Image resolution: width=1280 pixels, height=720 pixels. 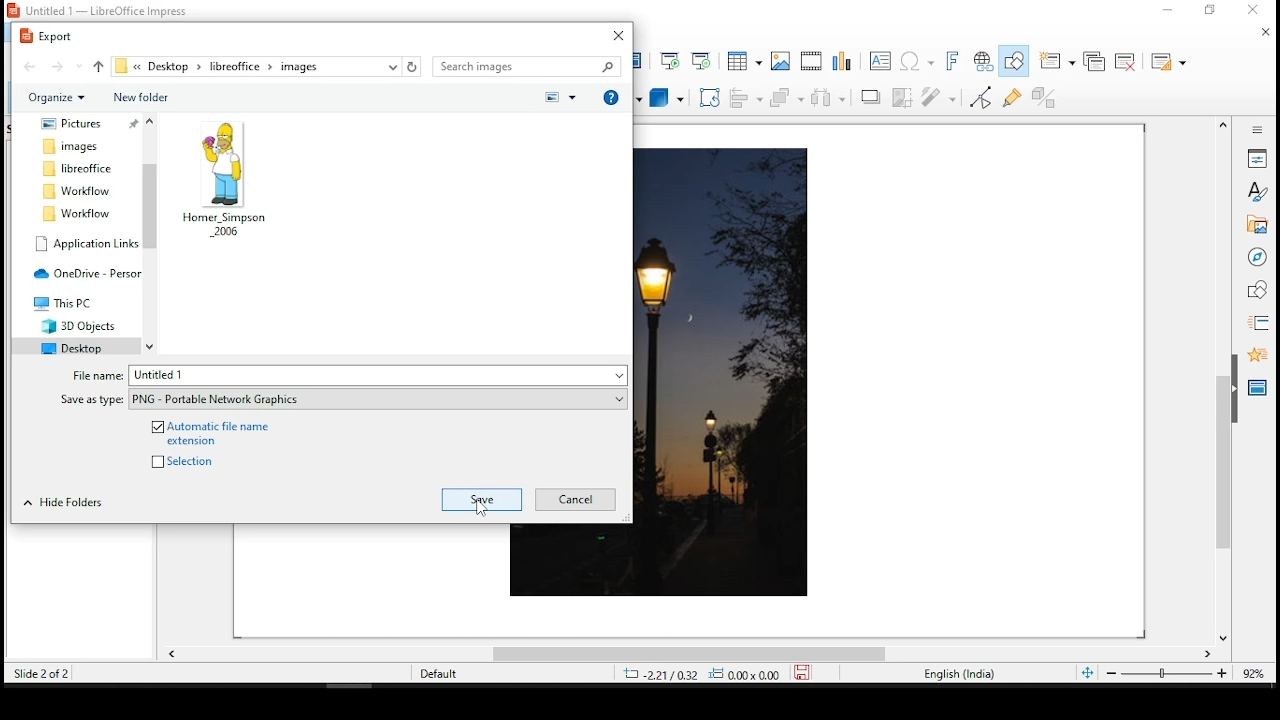 What do you see at coordinates (100, 65) in the screenshot?
I see `up` at bounding box center [100, 65].